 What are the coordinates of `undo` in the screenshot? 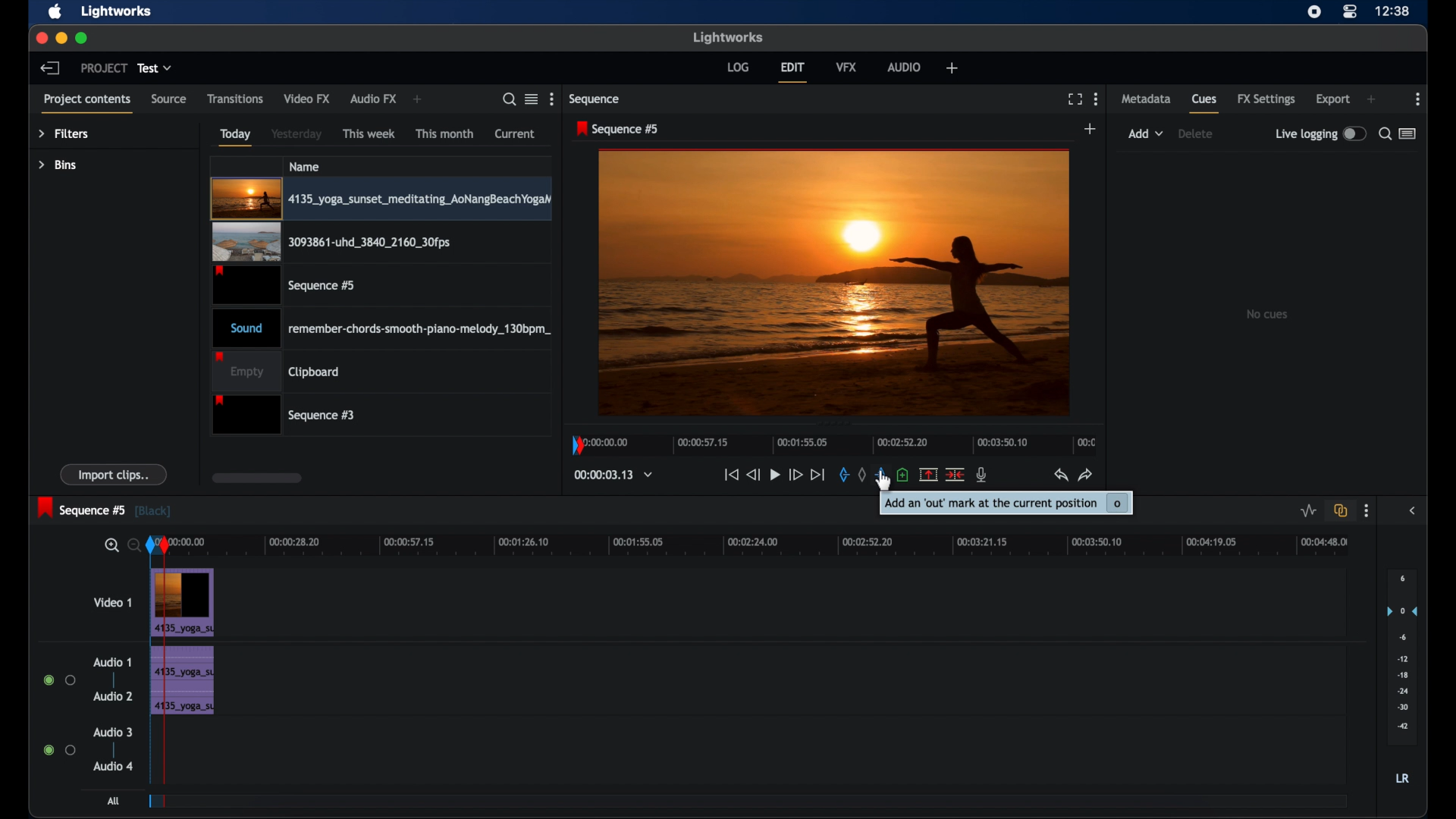 It's located at (1061, 475).